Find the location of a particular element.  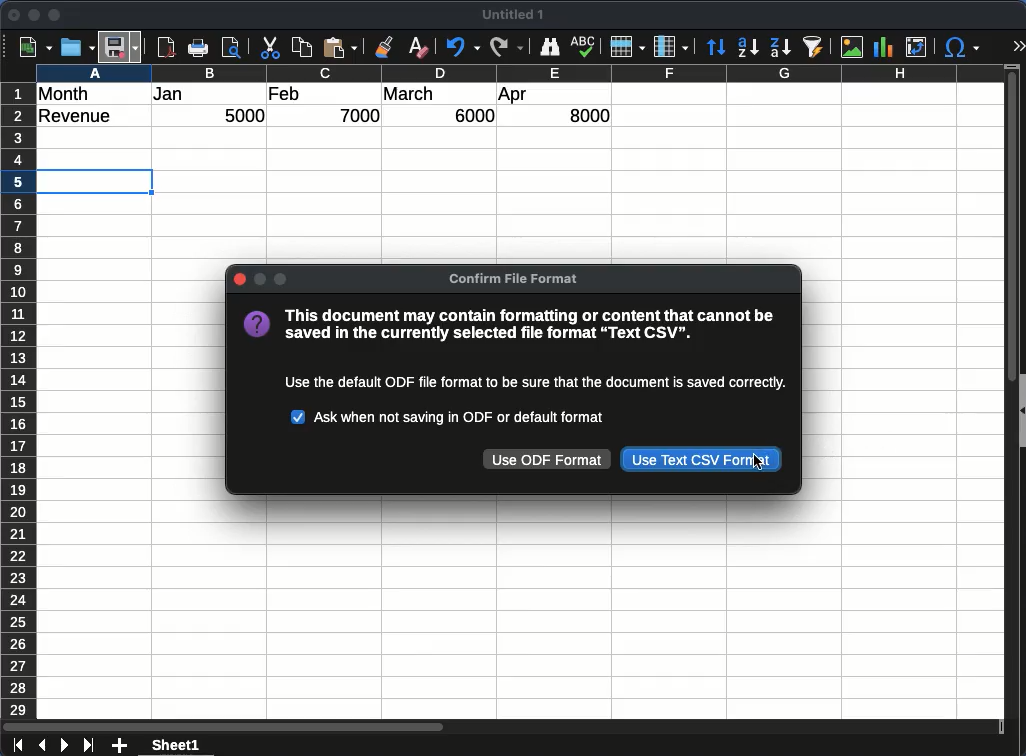

scroll is located at coordinates (1004, 402).